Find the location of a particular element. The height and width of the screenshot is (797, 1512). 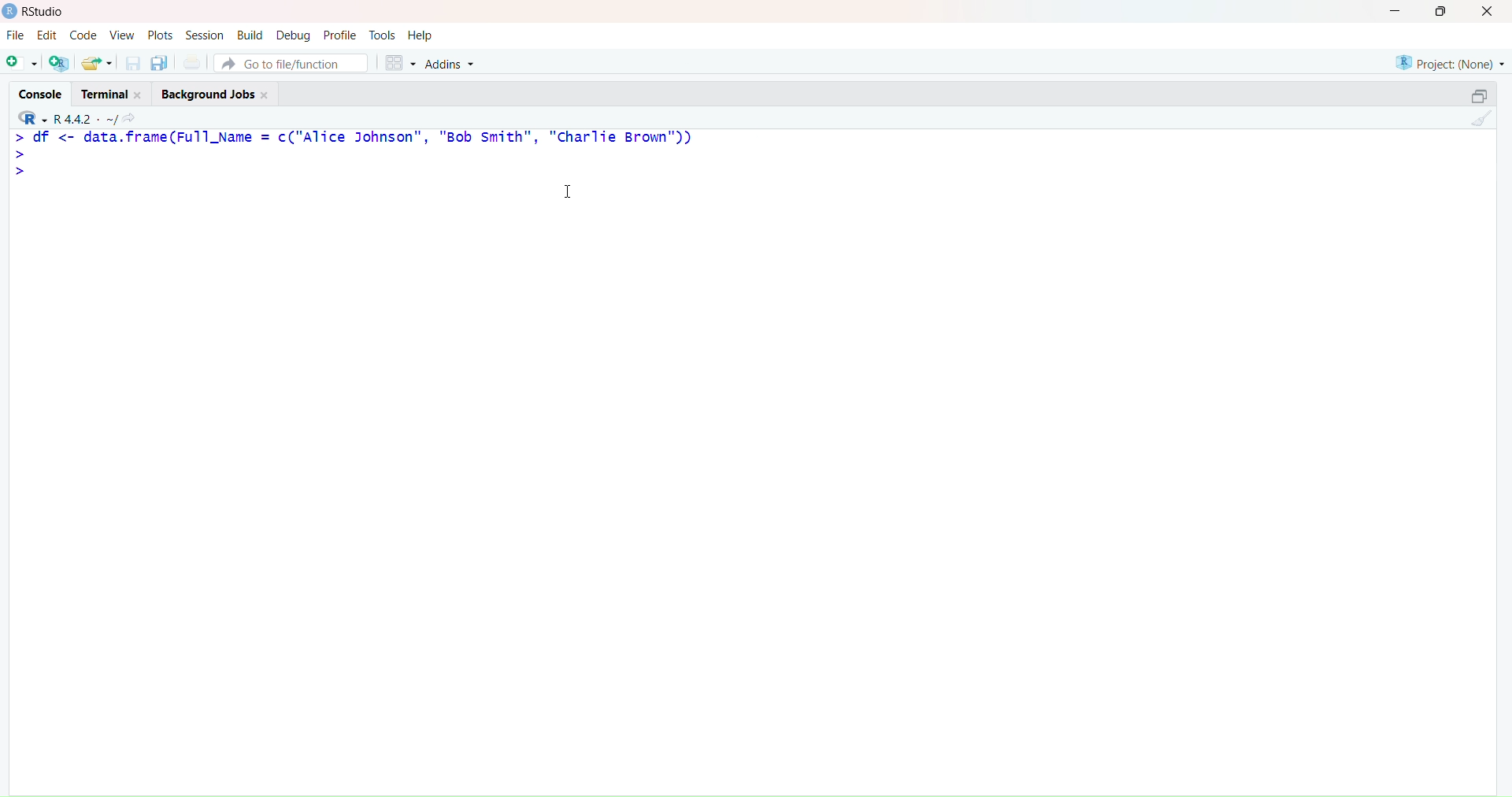

Minimize is located at coordinates (1396, 14).